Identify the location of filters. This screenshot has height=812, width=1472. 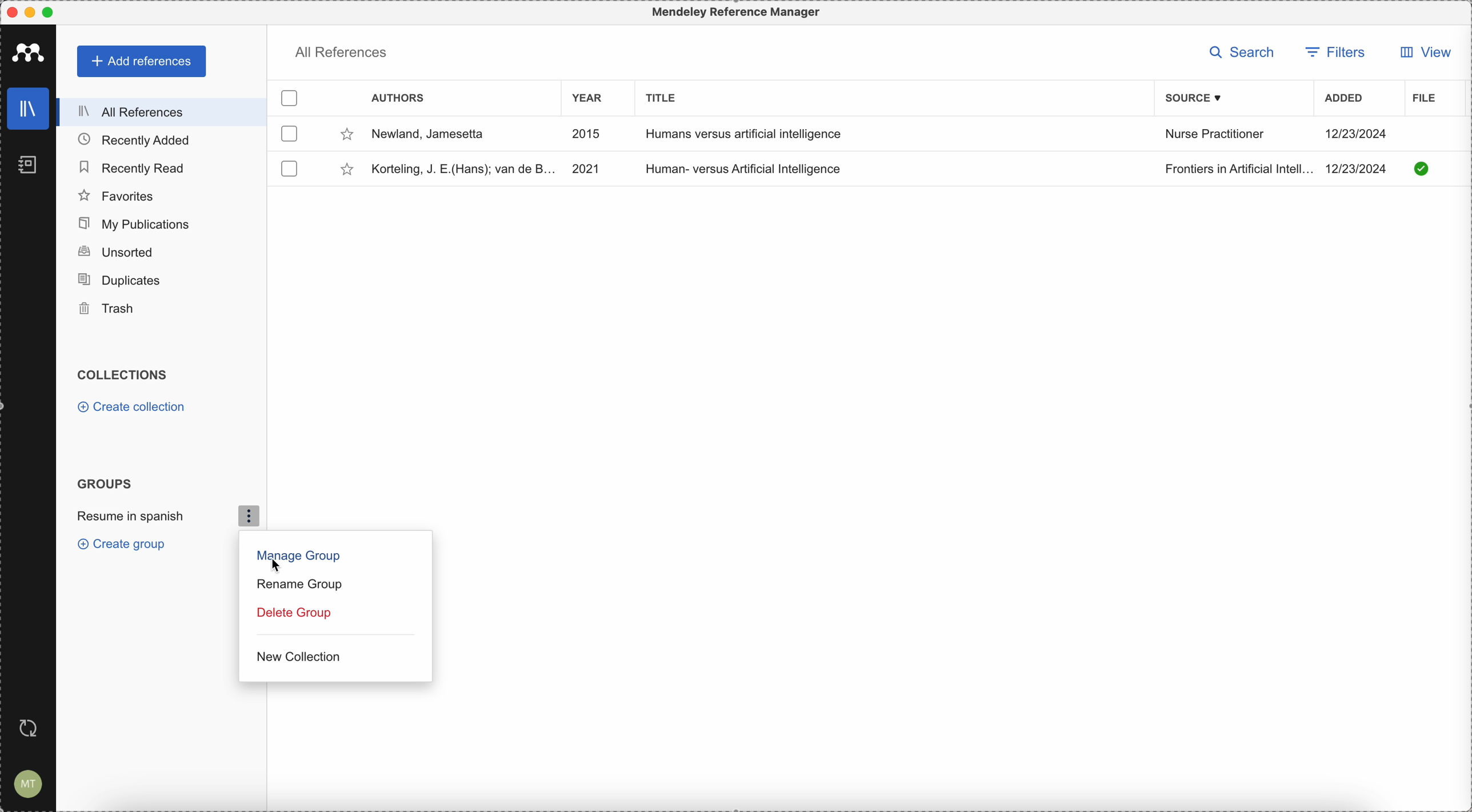
(1338, 51).